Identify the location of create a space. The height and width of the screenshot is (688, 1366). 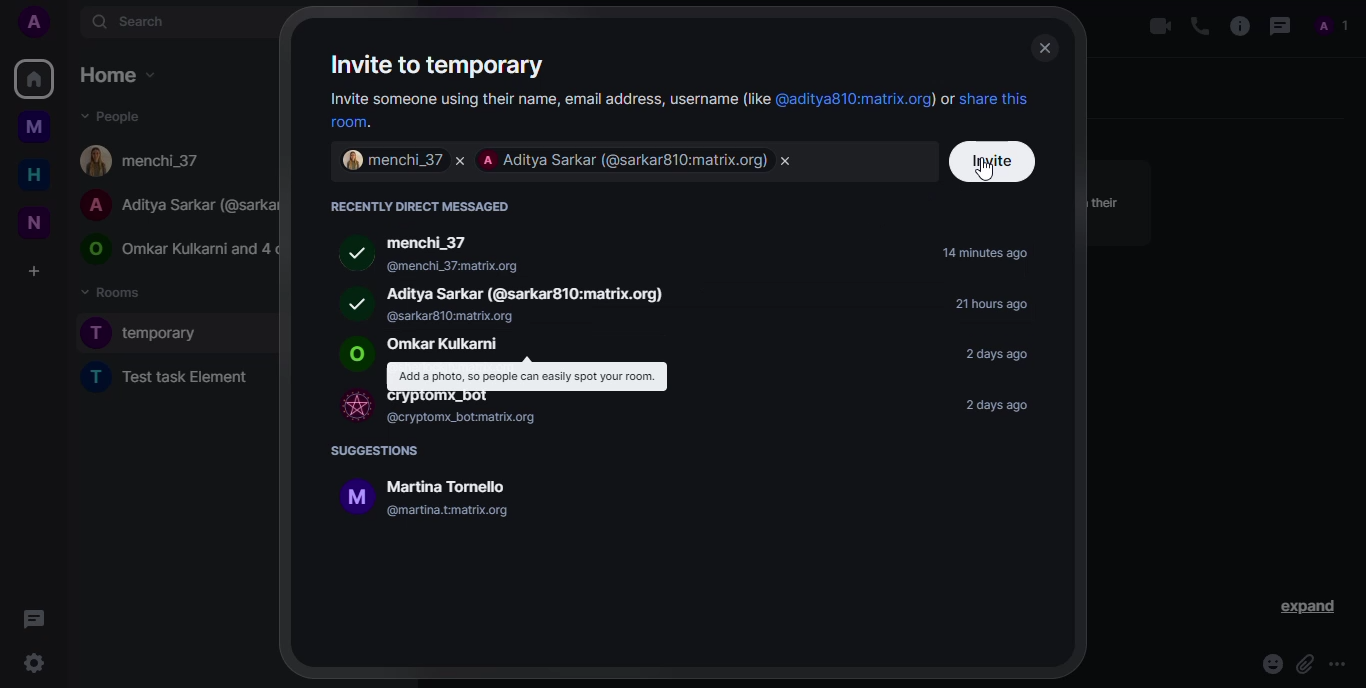
(34, 270).